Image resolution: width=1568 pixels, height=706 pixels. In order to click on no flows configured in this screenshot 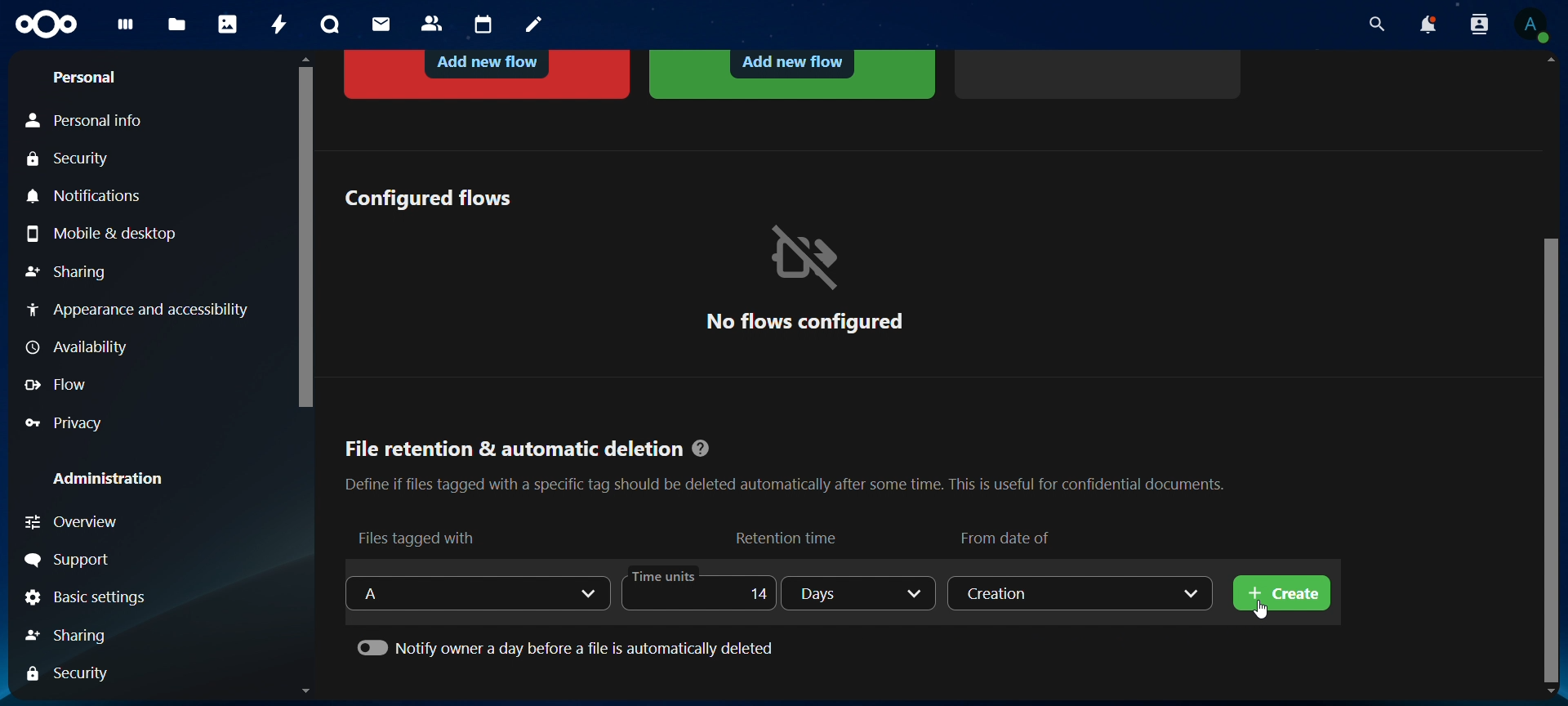, I will do `click(804, 277)`.